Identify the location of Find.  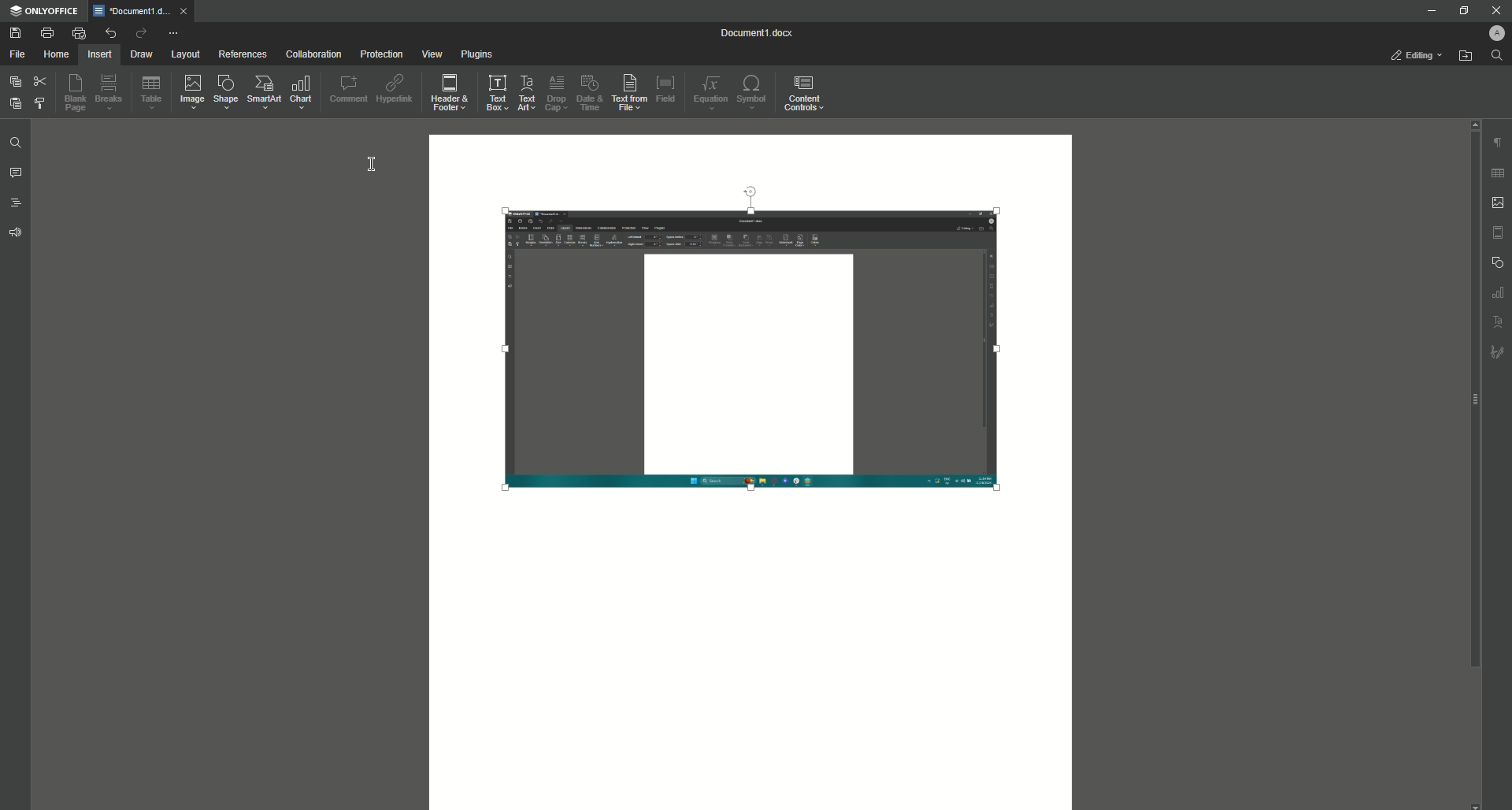
(1496, 55).